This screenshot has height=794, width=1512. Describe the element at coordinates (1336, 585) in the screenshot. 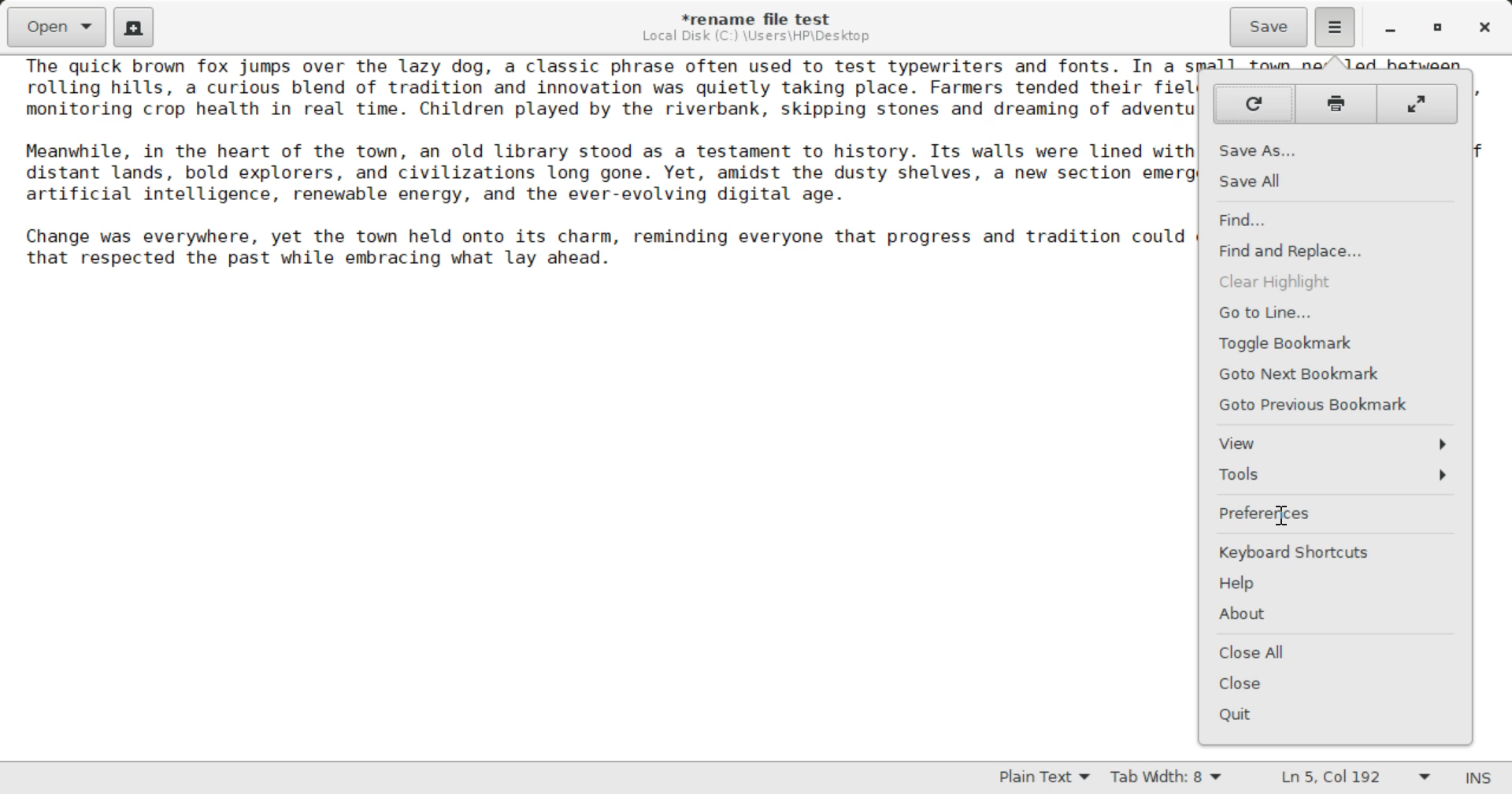

I see `Help` at that location.